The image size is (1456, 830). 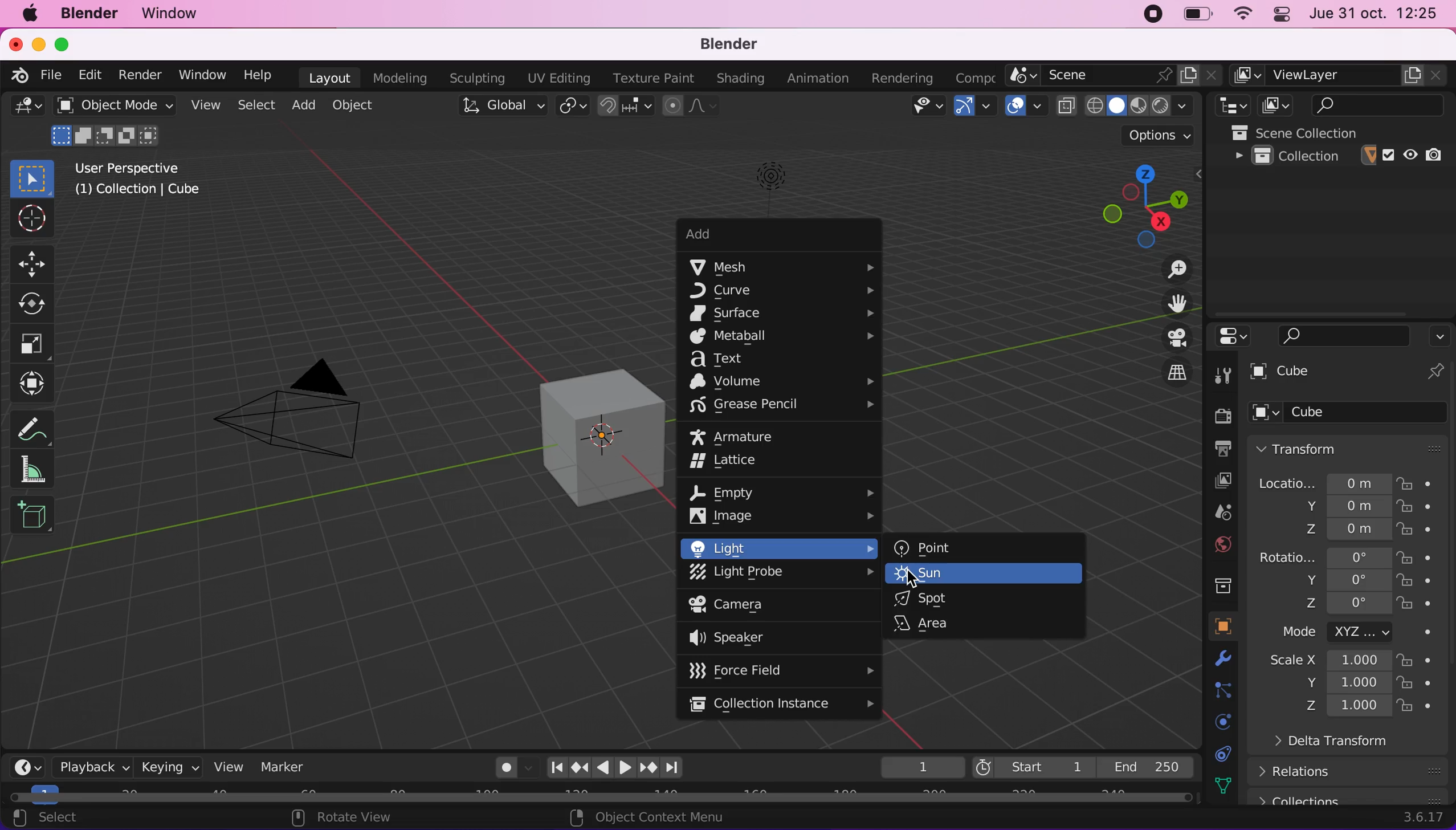 I want to click on Play animation, so click(x=601, y=769).